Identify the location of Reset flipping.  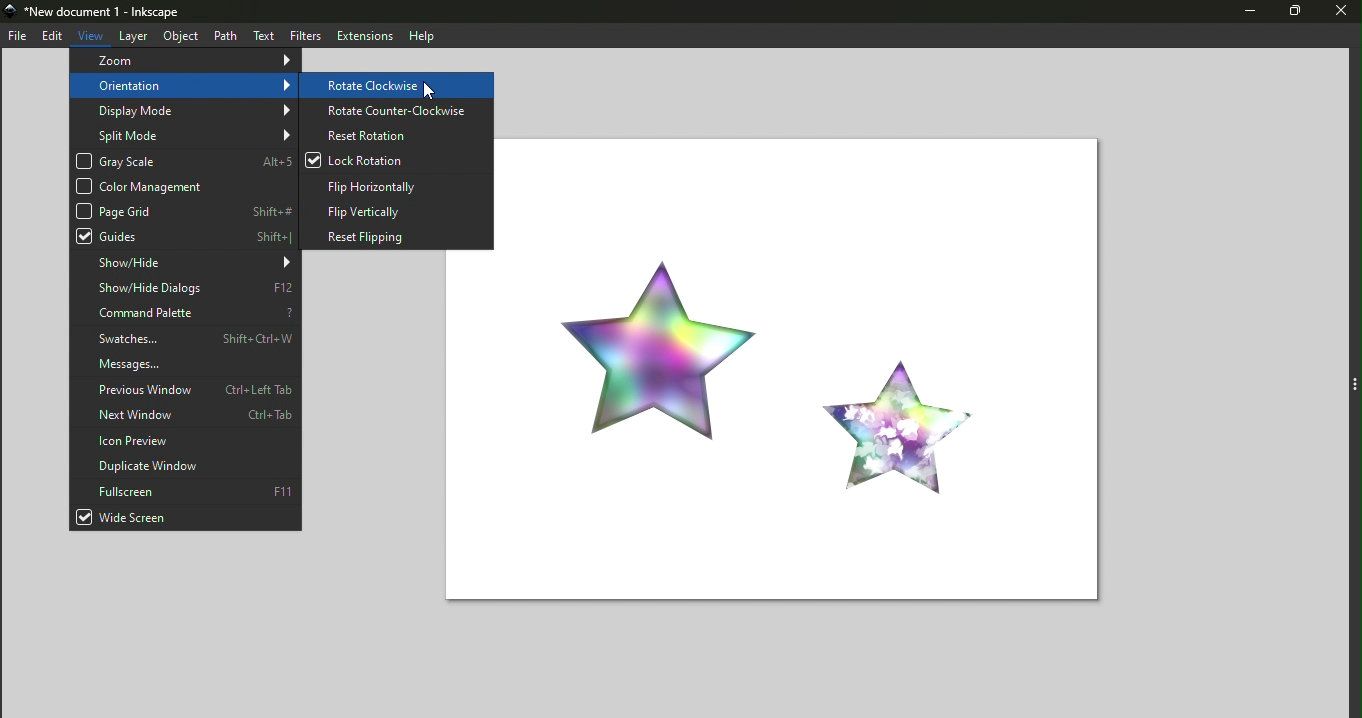
(395, 235).